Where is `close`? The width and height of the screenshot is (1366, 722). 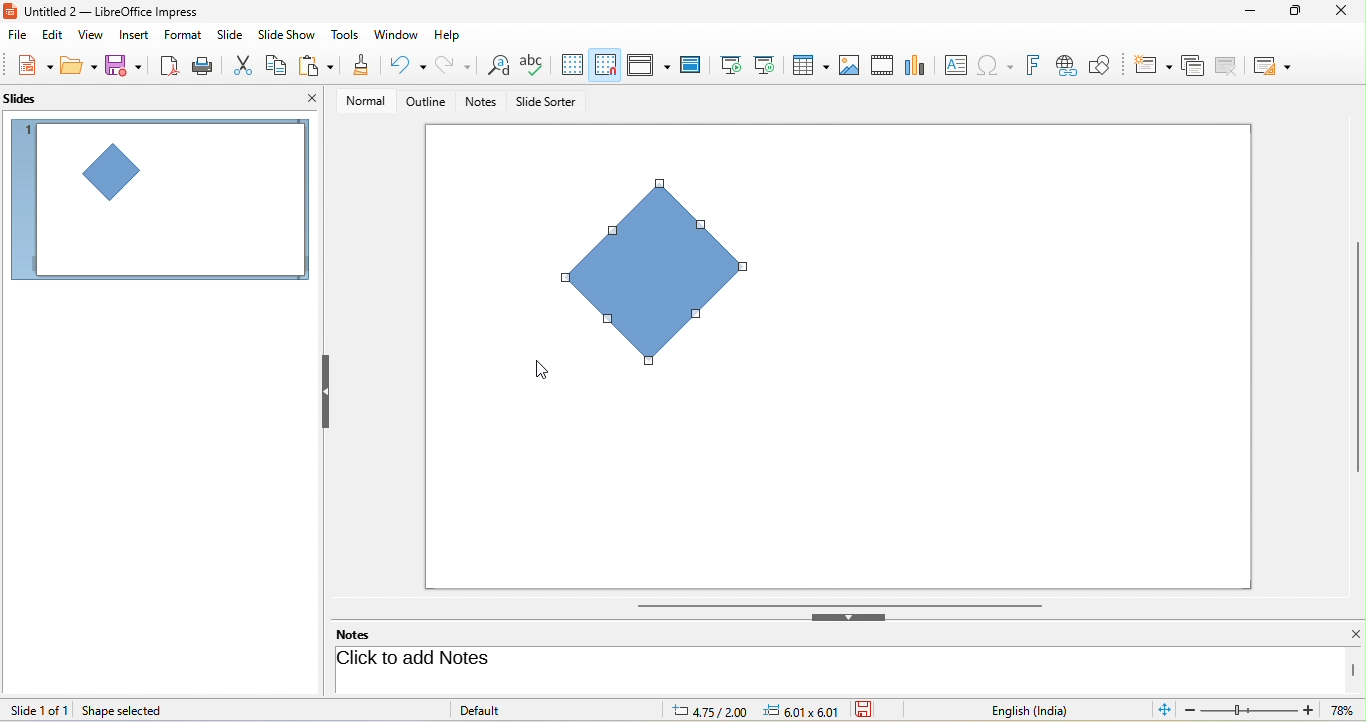 close is located at coordinates (1344, 635).